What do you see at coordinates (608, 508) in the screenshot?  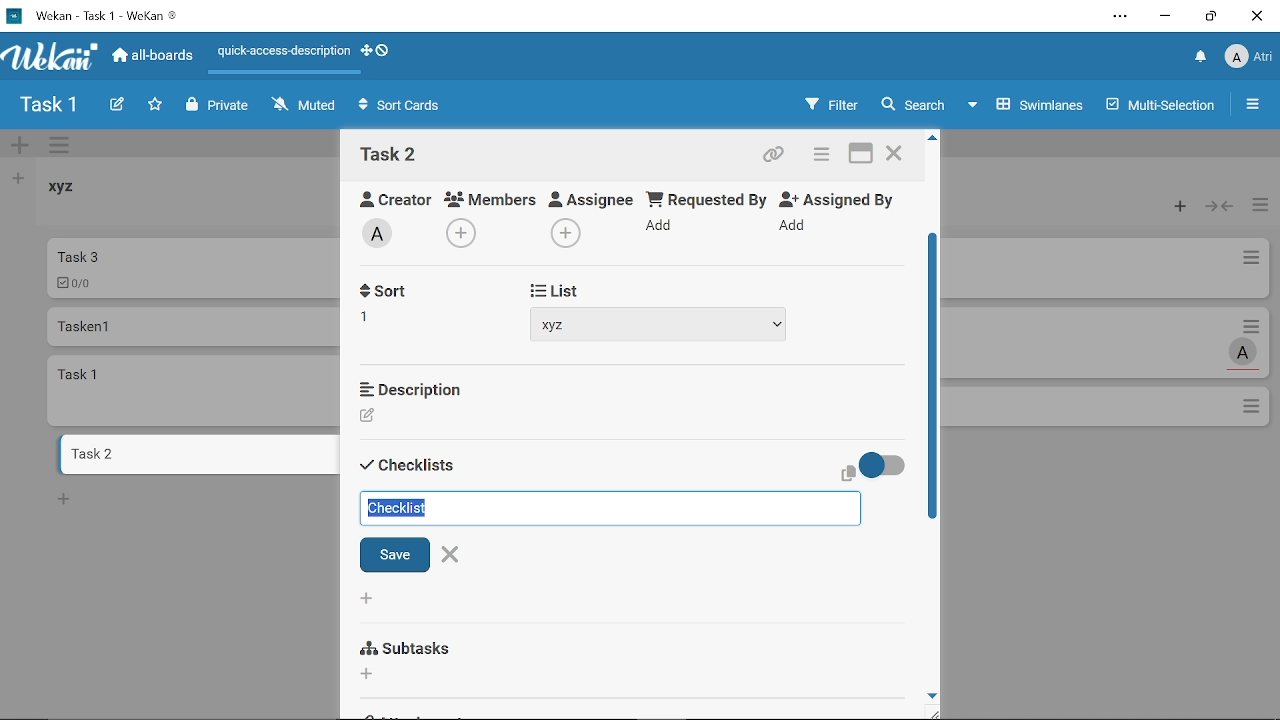 I see `Add checklist name` at bounding box center [608, 508].